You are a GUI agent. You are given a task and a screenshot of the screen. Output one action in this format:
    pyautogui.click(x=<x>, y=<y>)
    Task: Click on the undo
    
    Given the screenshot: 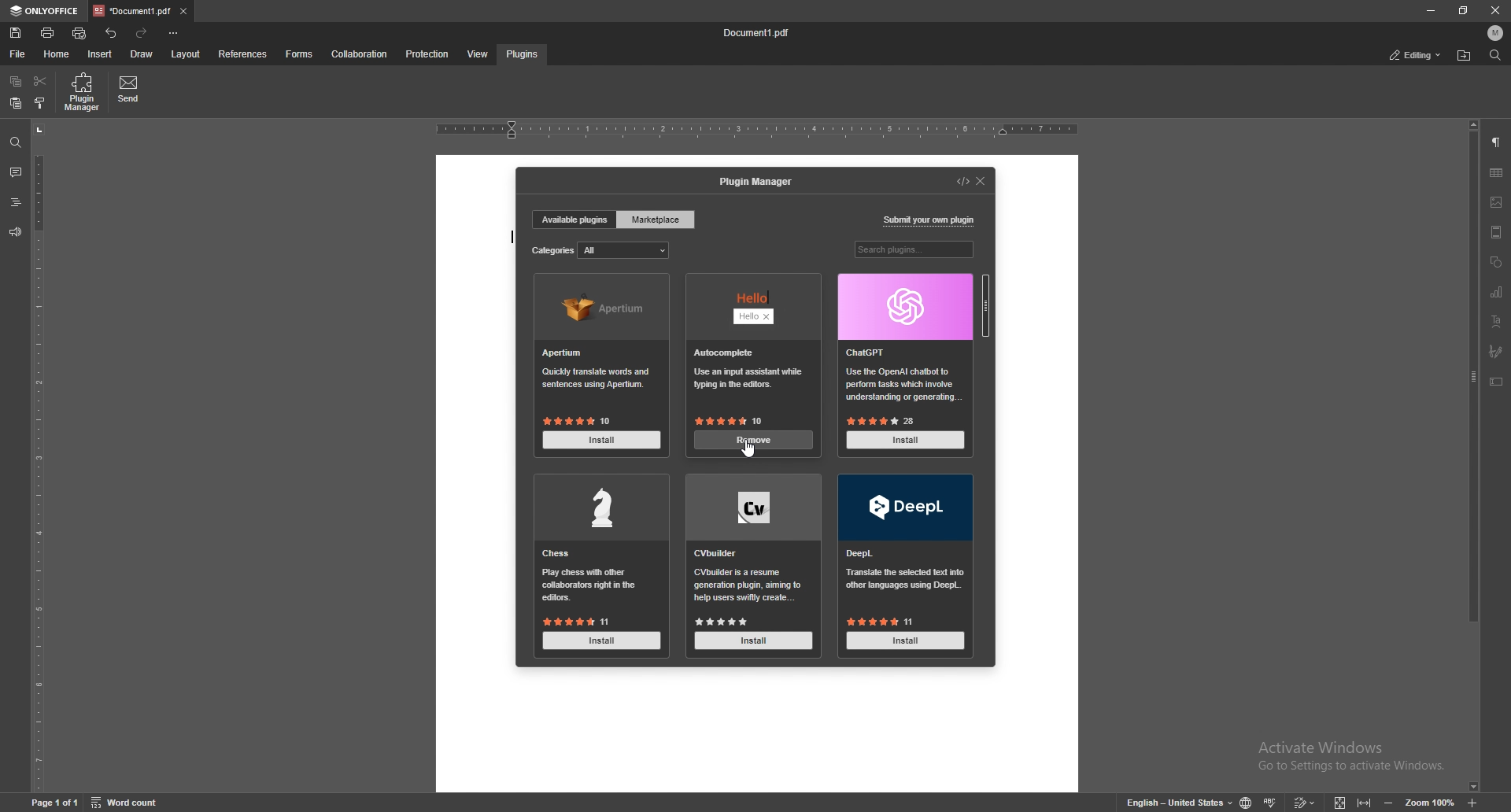 What is the action you would take?
    pyautogui.click(x=113, y=32)
    